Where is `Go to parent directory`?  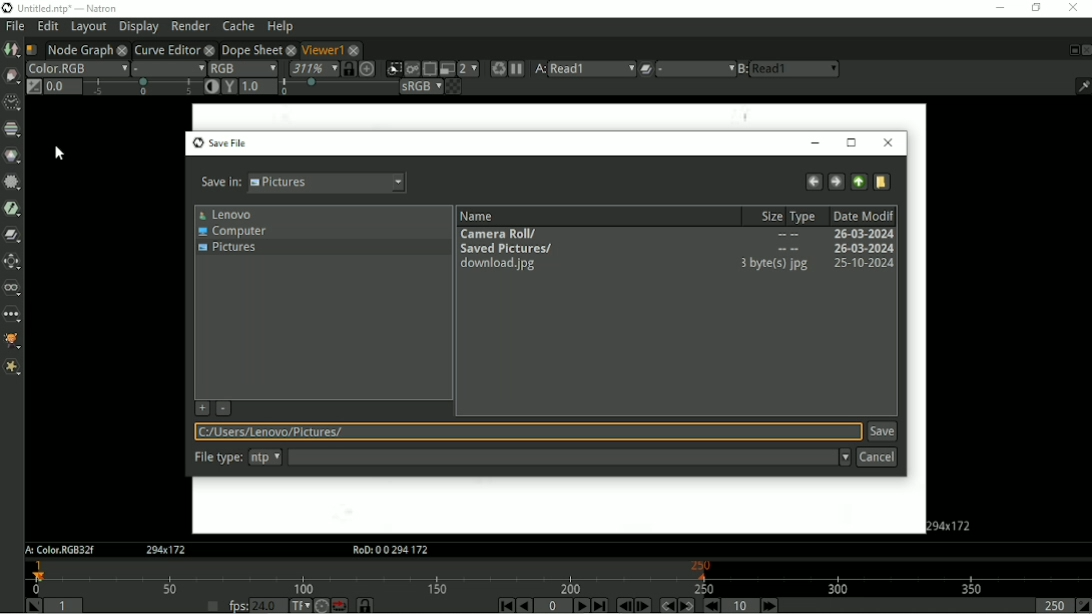 Go to parent directory is located at coordinates (858, 182).